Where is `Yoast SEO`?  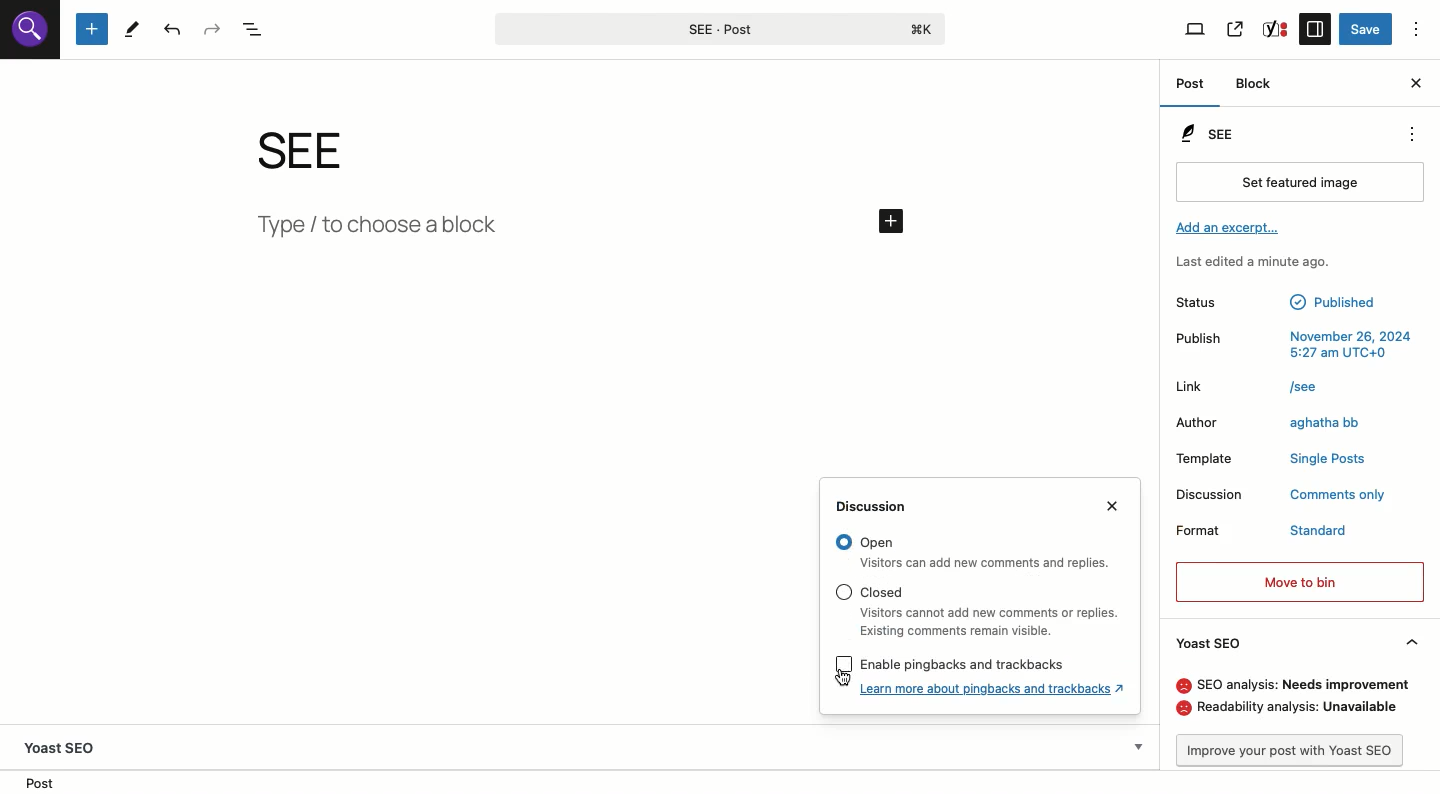
Yoast SEO is located at coordinates (67, 743).